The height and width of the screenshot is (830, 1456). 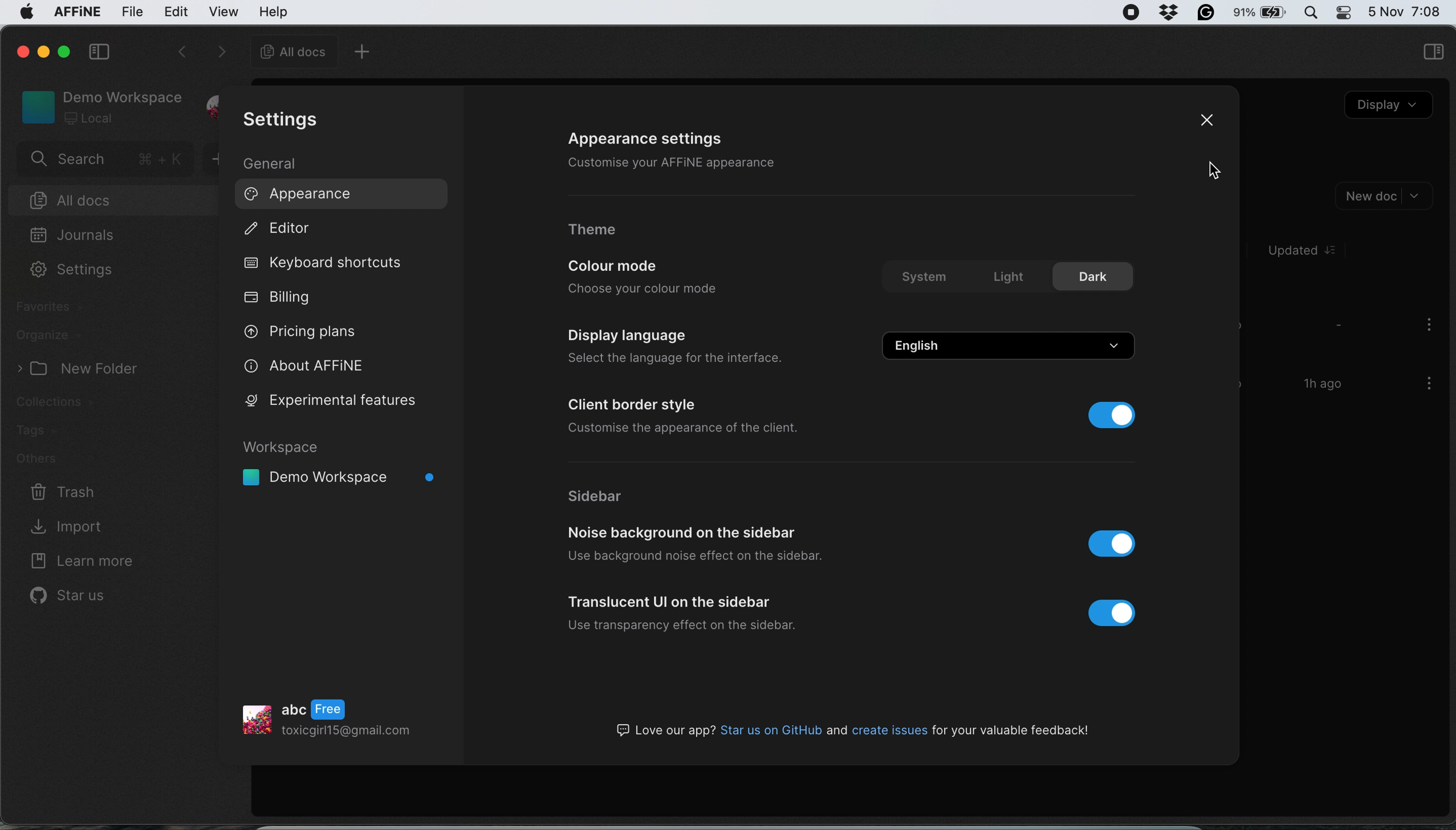 What do you see at coordinates (285, 121) in the screenshot?
I see `settings` at bounding box center [285, 121].